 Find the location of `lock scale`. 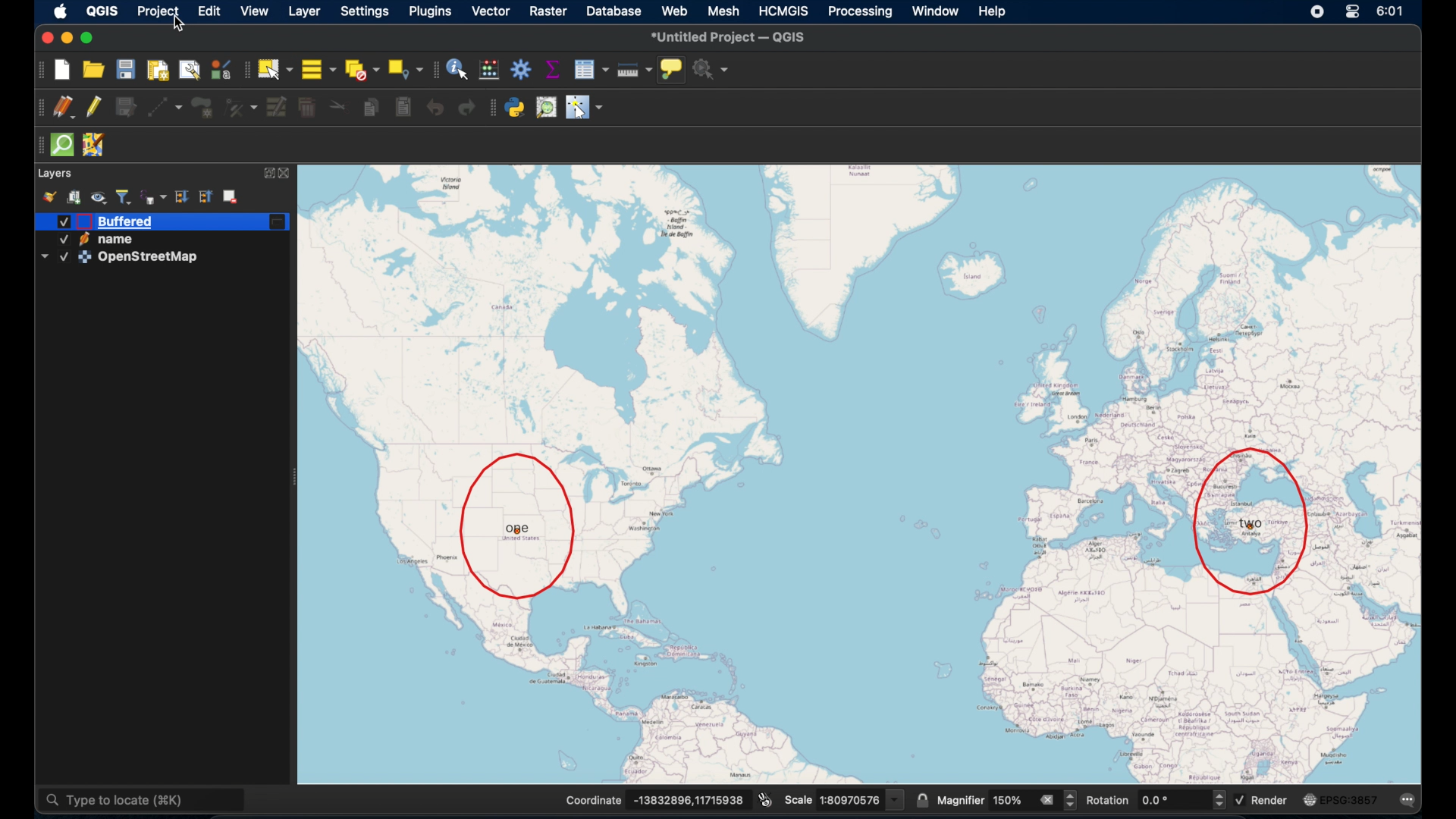

lock scale is located at coordinates (922, 797).